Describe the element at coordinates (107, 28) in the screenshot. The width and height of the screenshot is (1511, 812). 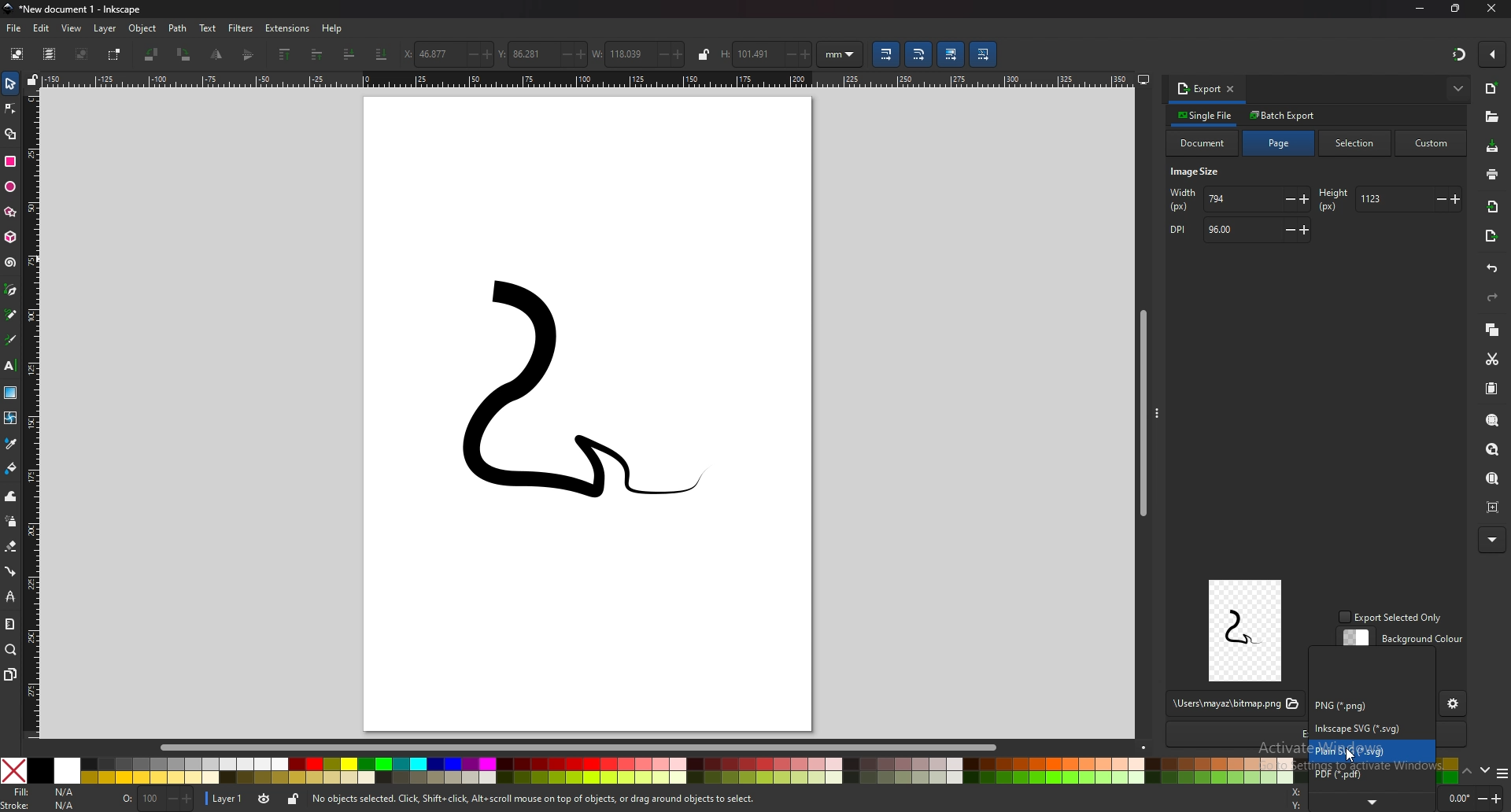
I see `layer` at that location.